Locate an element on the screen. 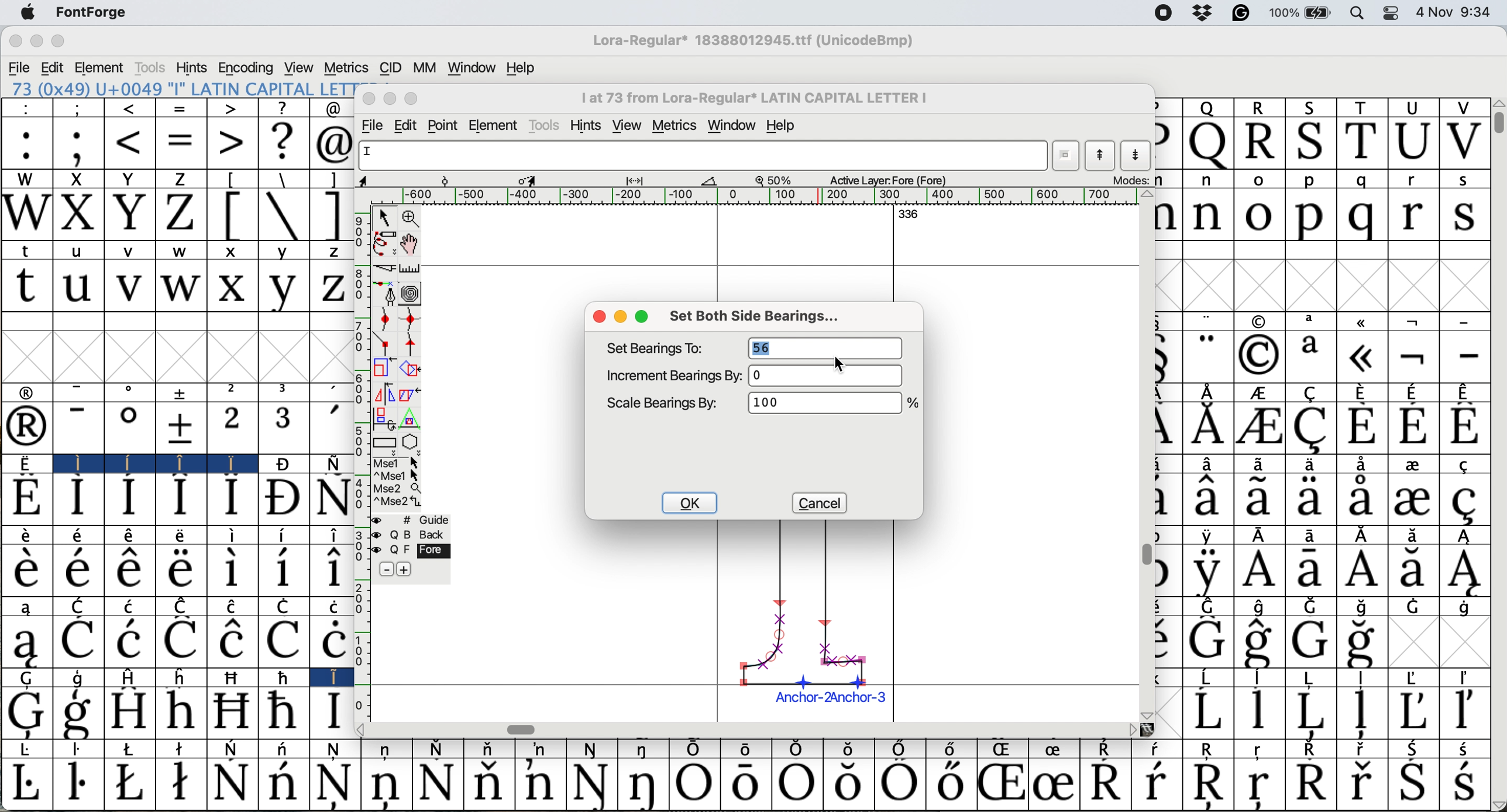 This screenshot has height=812, width=1507. Symbol is located at coordinates (1414, 391).